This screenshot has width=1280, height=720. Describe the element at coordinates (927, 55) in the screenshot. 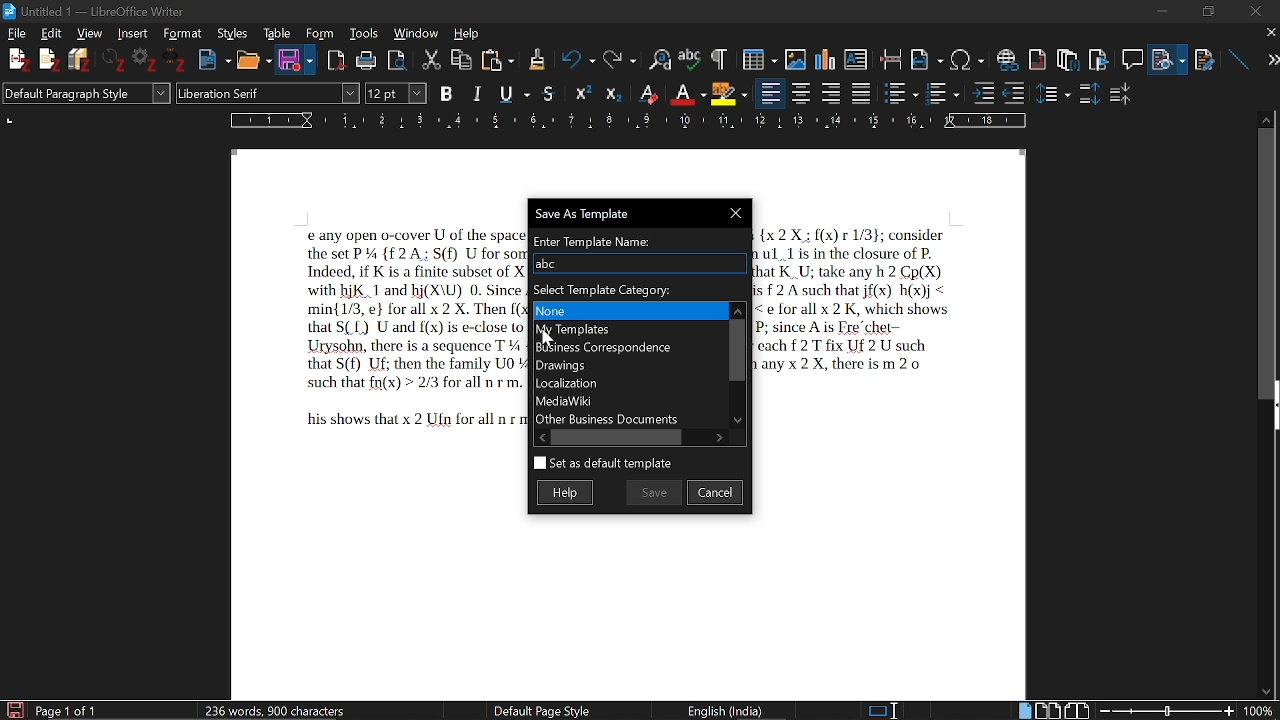

I see `Insert field` at that location.